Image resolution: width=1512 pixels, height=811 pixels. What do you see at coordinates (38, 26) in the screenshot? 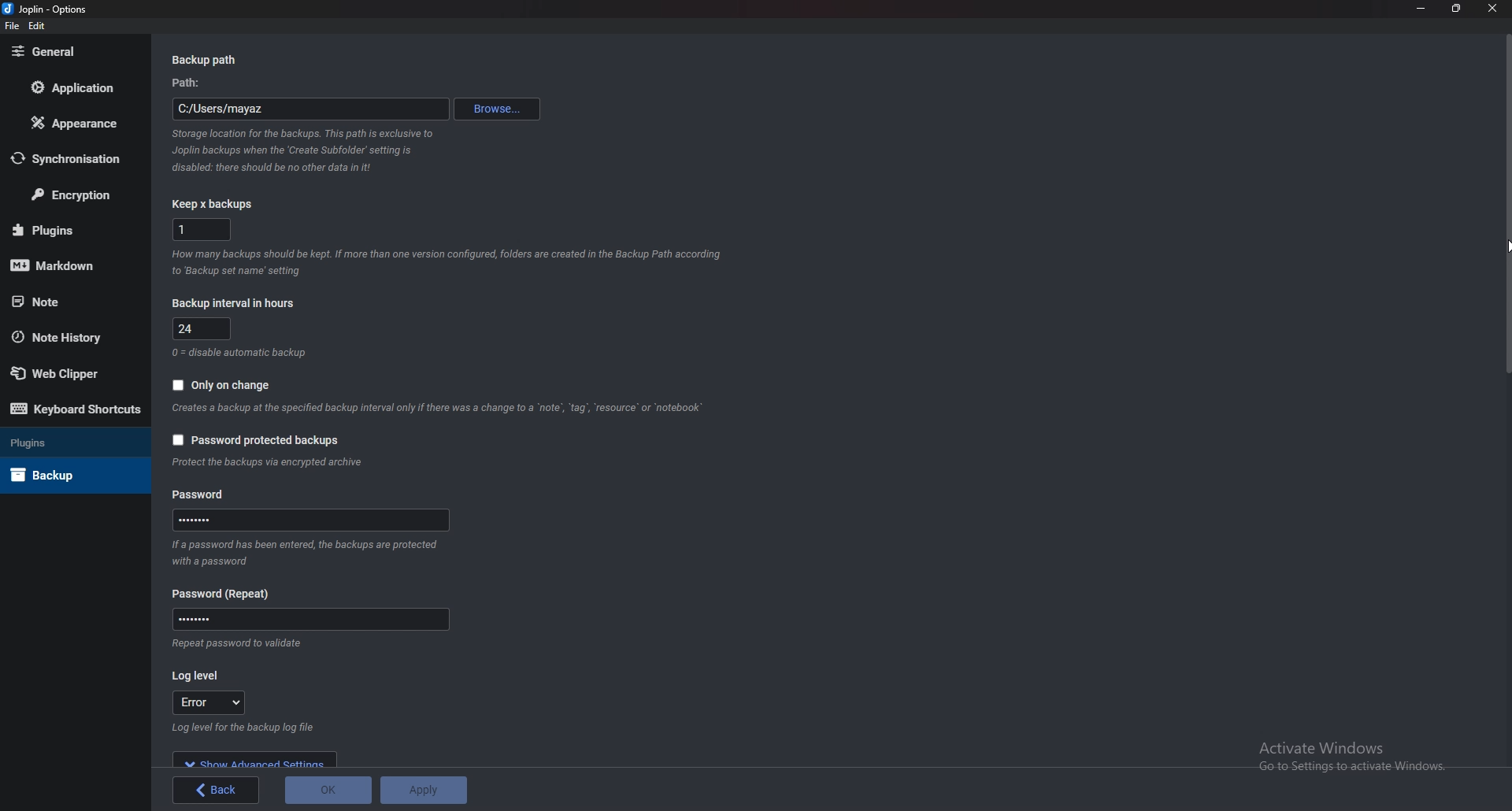
I see `edit` at bounding box center [38, 26].